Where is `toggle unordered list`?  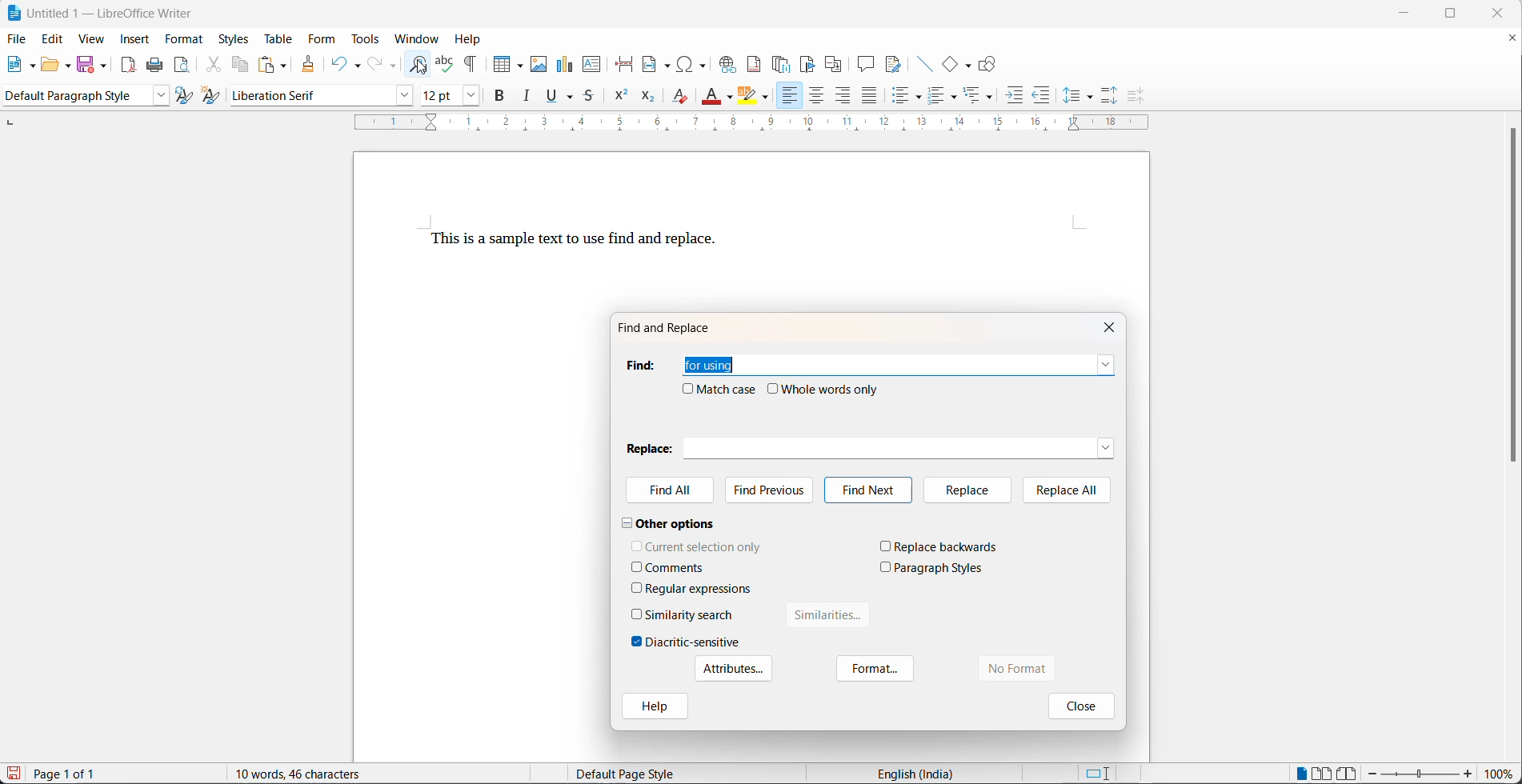 toggle unordered list is located at coordinates (904, 98).